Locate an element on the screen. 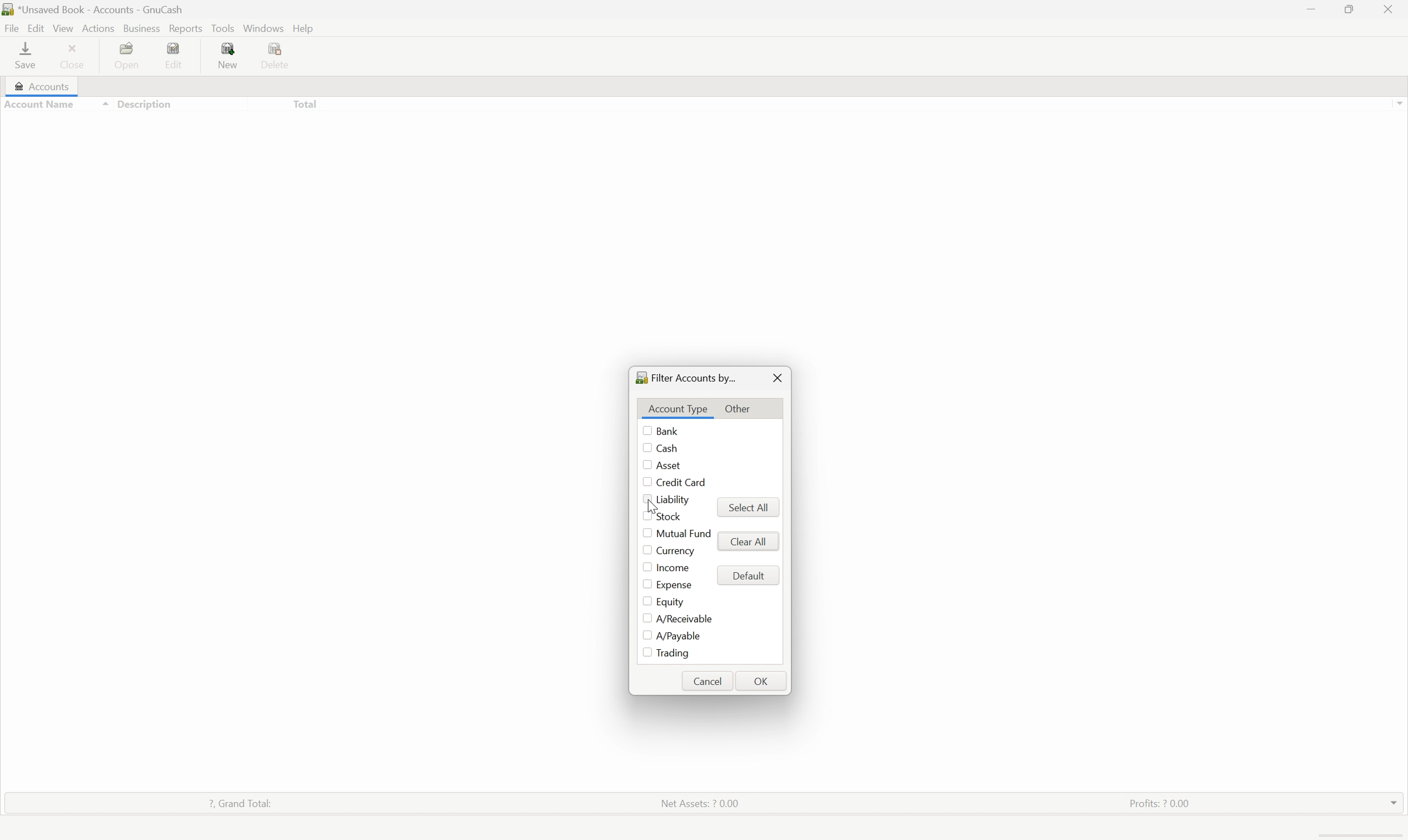  Filter accounts by... is located at coordinates (686, 378).